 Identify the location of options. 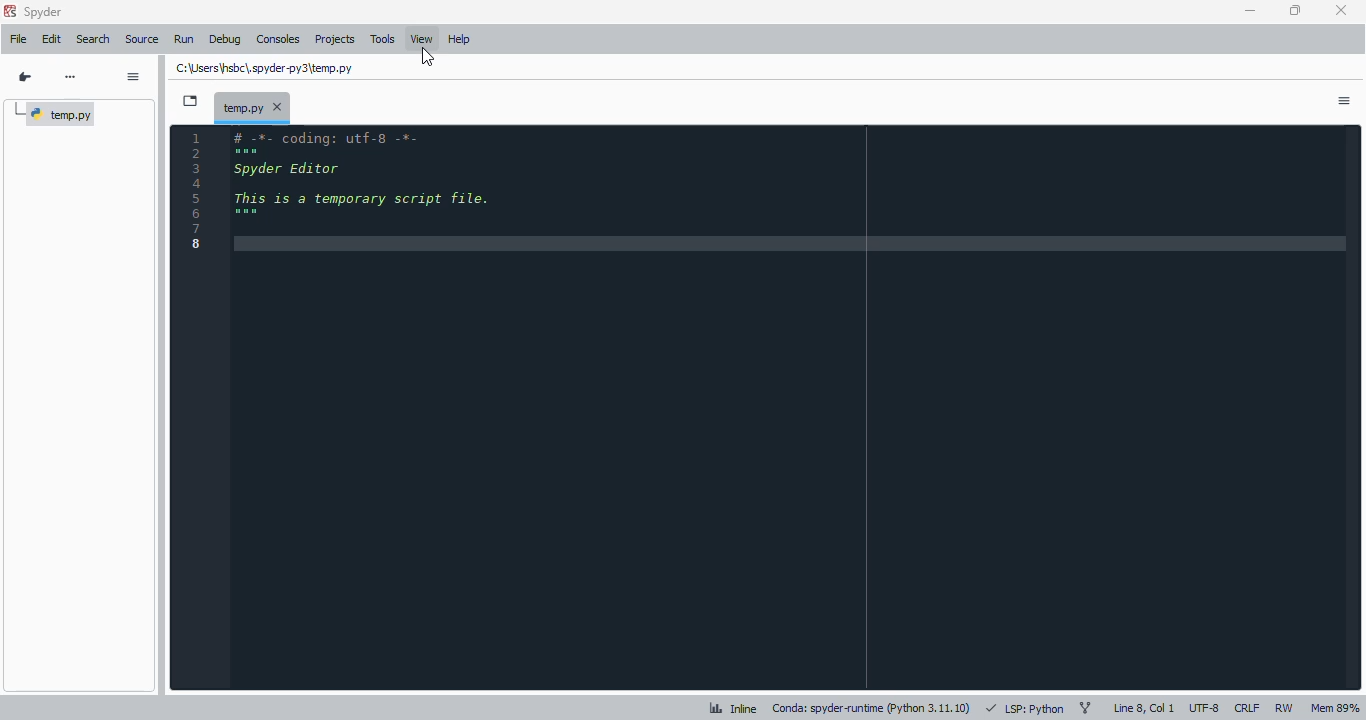
(135, 77).